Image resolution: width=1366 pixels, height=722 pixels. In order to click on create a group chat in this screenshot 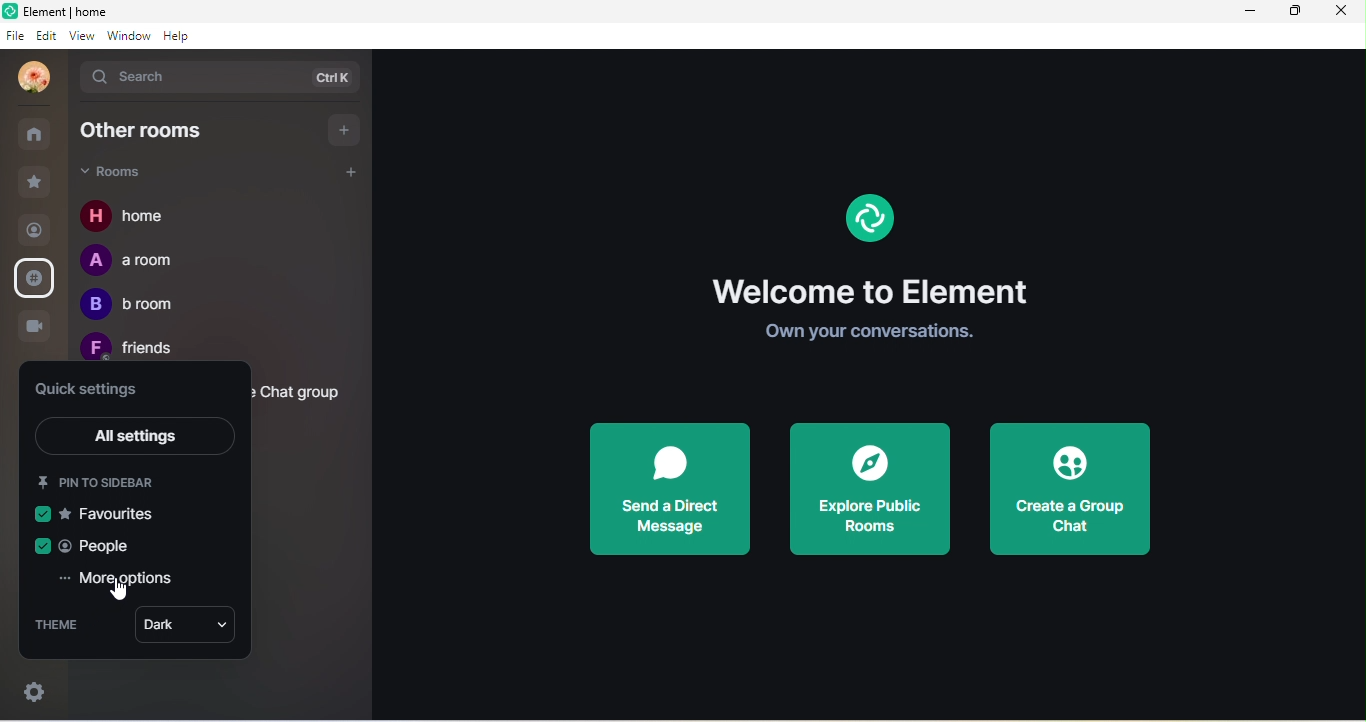, I will do `click(1073, 490)`.